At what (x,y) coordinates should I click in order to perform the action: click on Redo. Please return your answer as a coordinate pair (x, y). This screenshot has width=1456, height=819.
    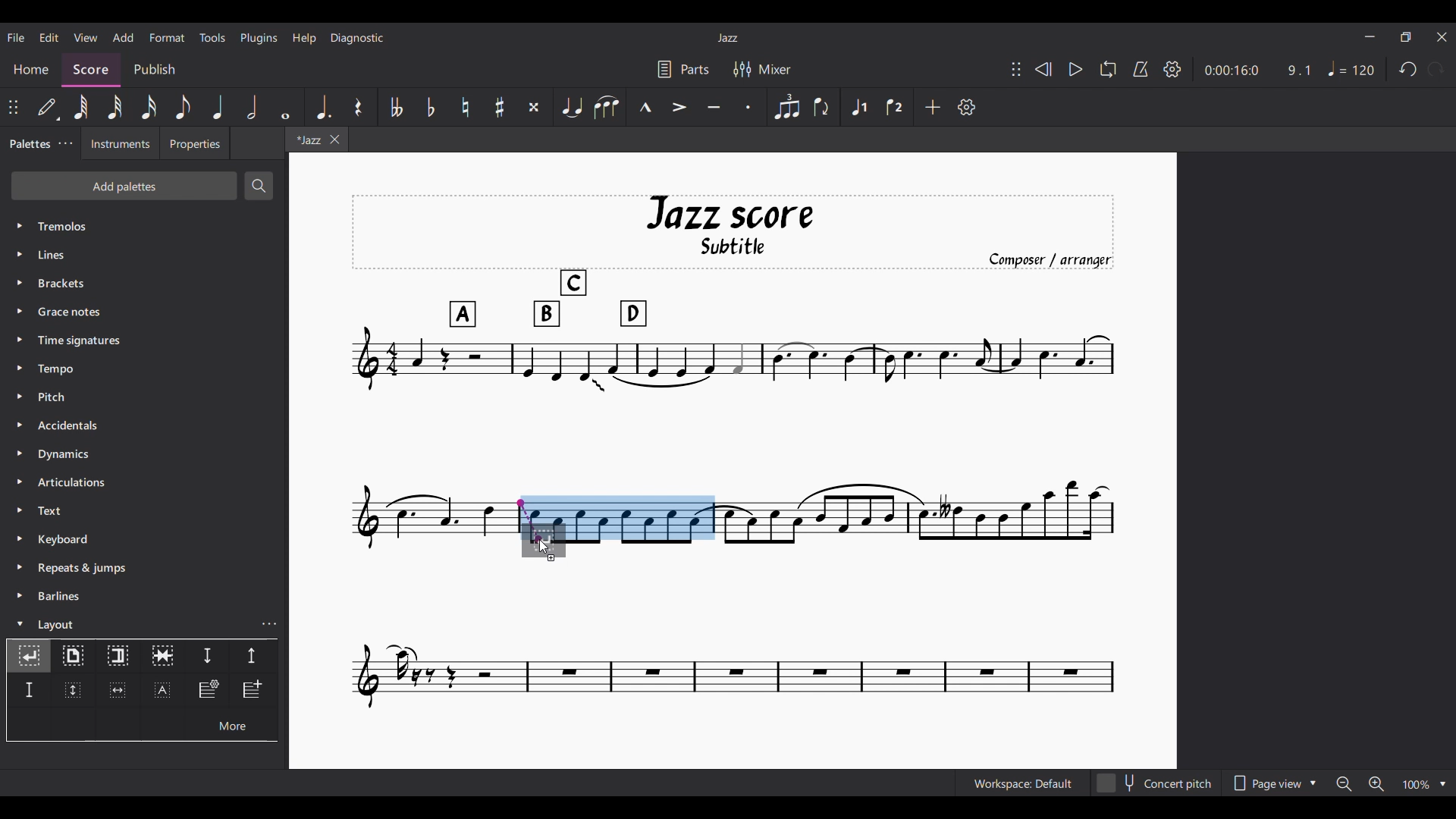
    Looking at the image, I should click on (1436, 68).